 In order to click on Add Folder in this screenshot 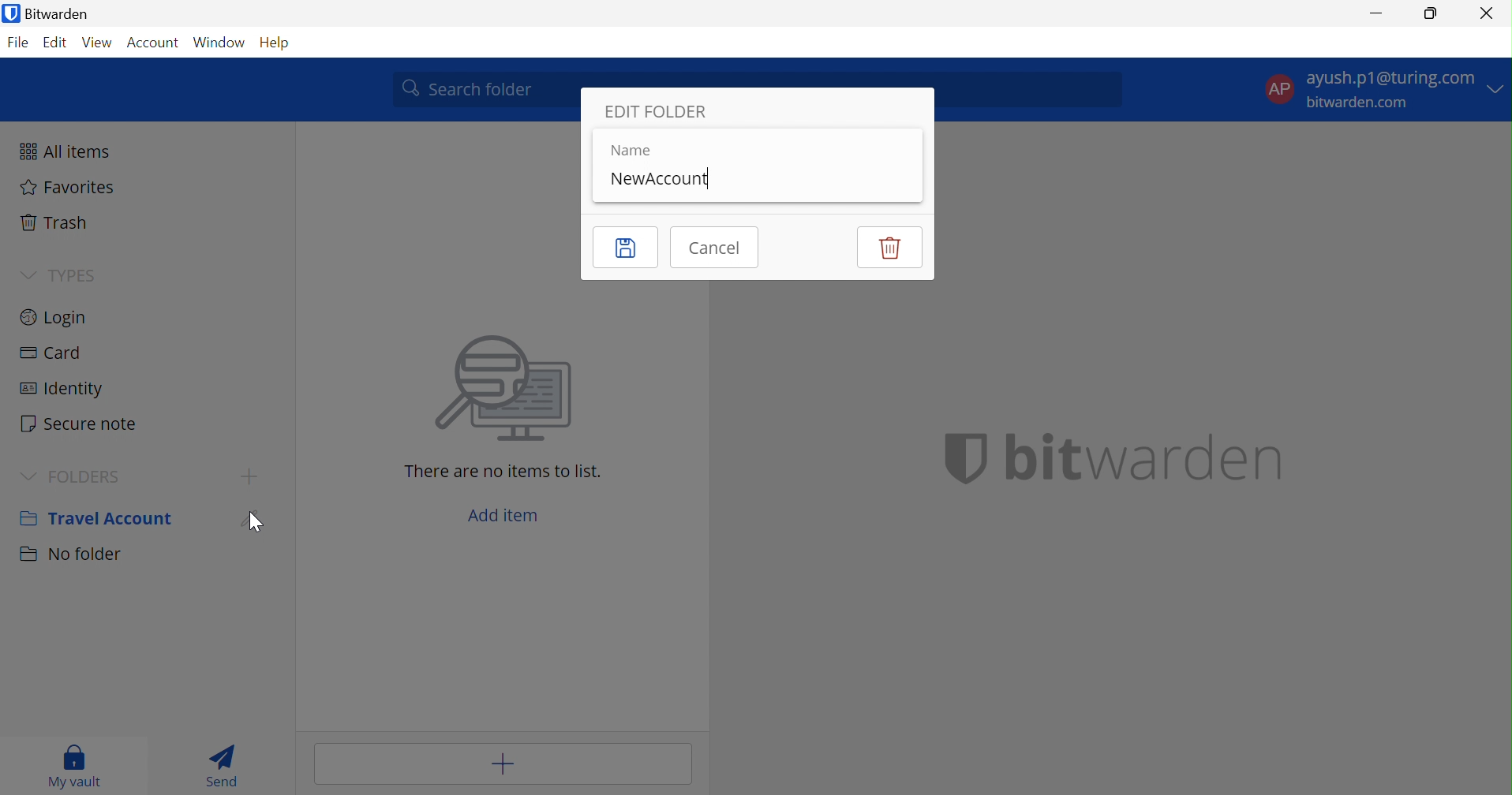, I will do `click(249, 478)`.